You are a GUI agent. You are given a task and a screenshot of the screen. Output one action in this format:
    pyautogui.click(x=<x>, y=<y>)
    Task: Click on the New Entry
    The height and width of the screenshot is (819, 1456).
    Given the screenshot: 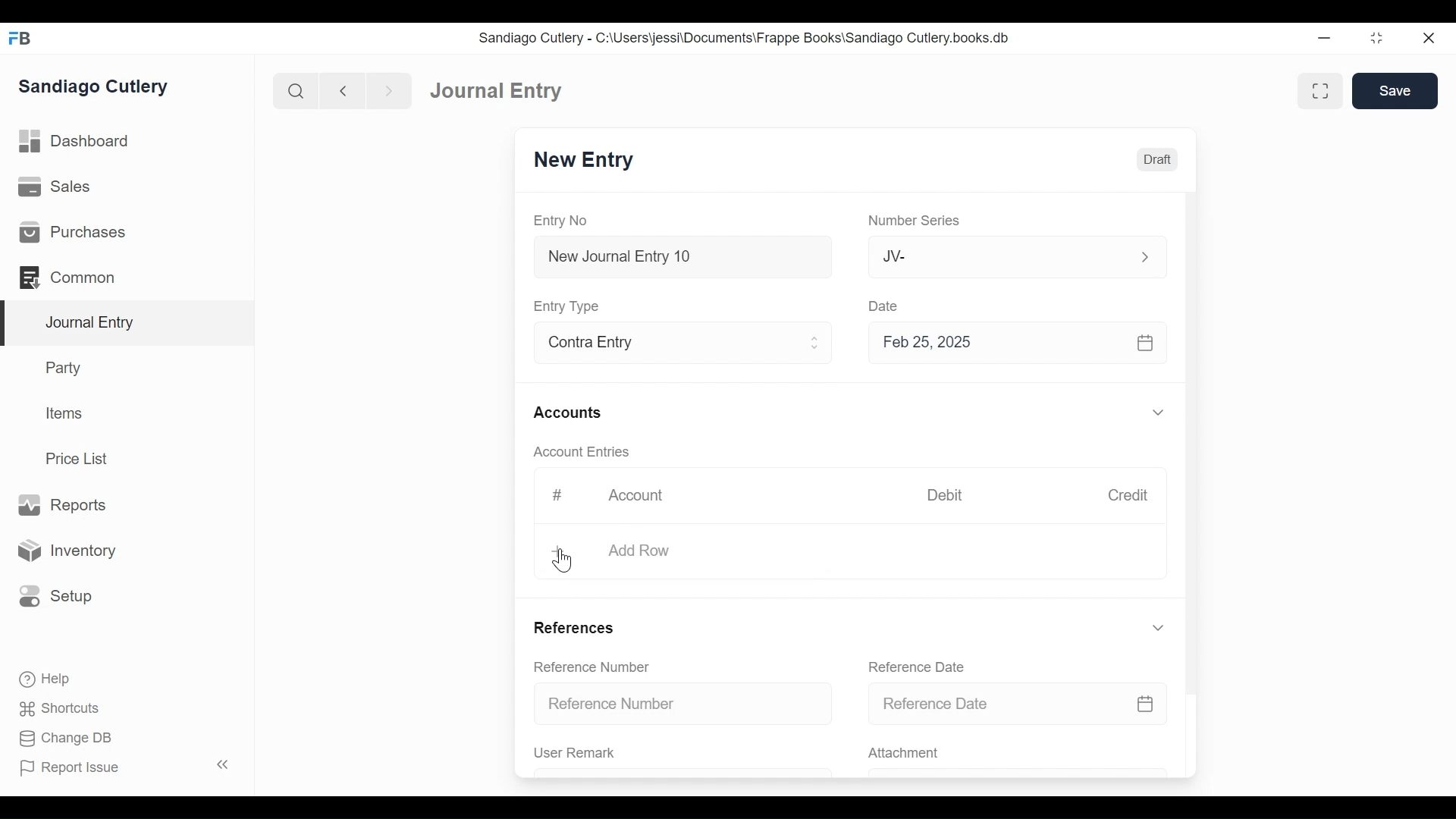 What is the action you would take?
    pyautogui.click(x=588, y=162)
    